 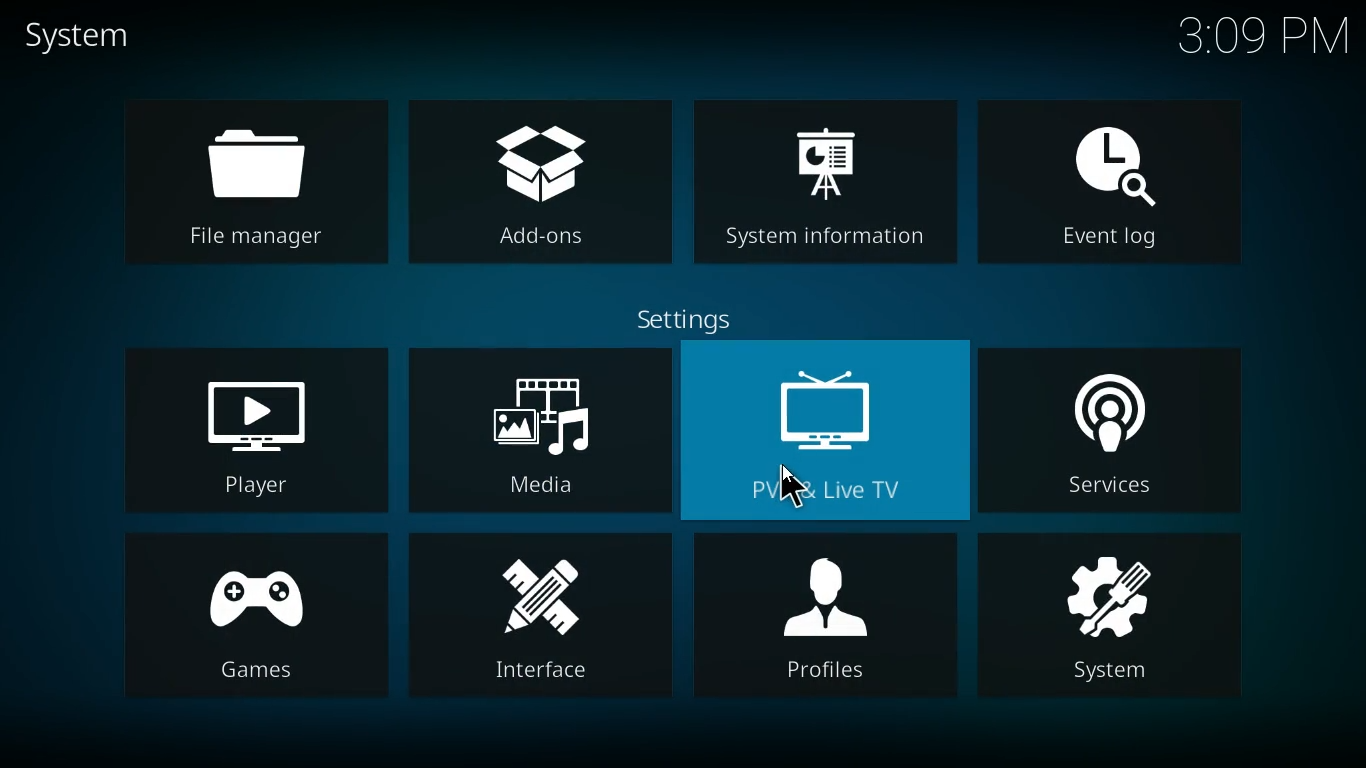 What do you see at coordinates (252, 428) in the screenshot?
I see `player` at bounding box center [252, 428].